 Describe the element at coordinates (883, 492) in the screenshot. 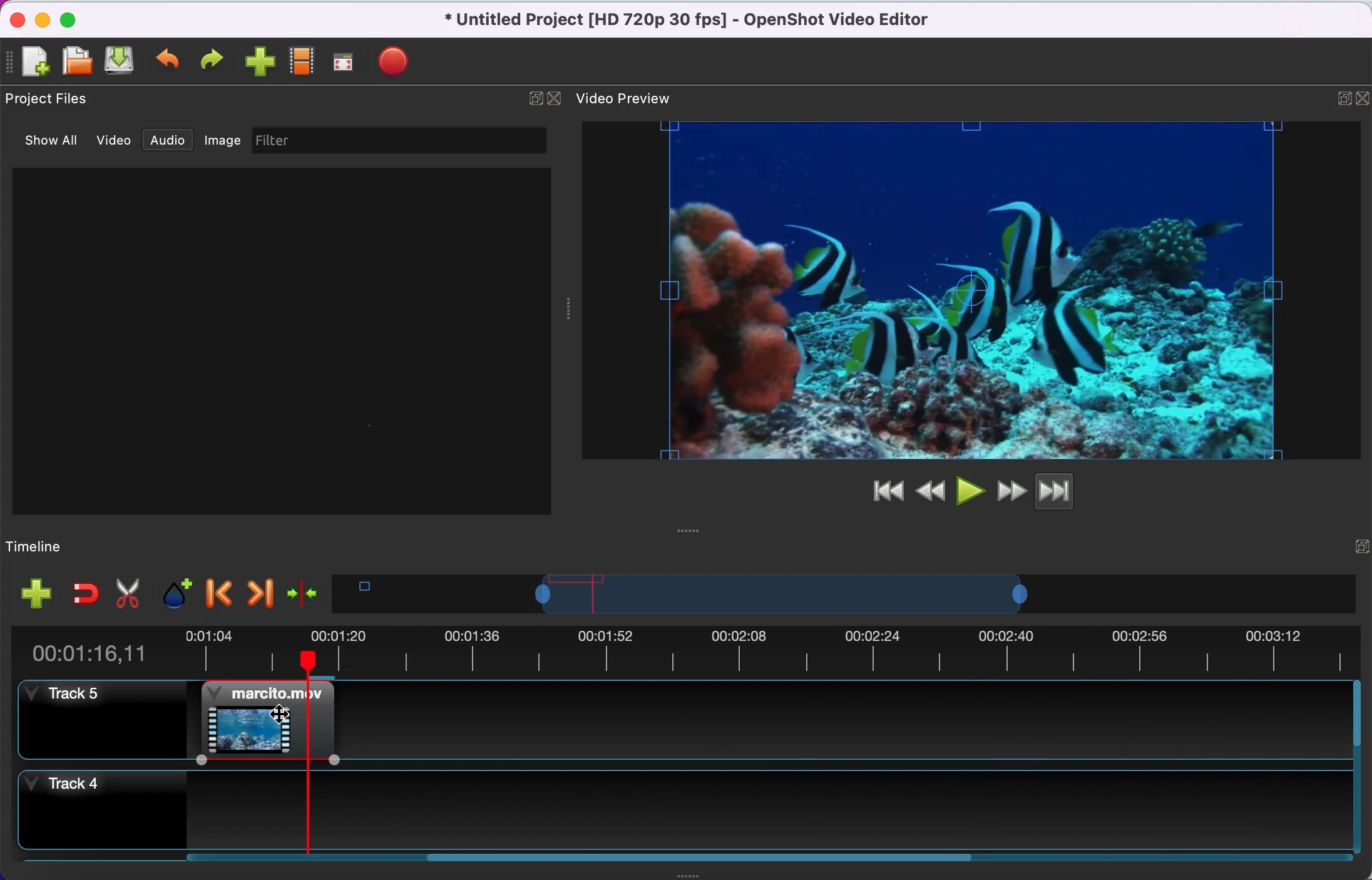

I see `jump to start` at that location.